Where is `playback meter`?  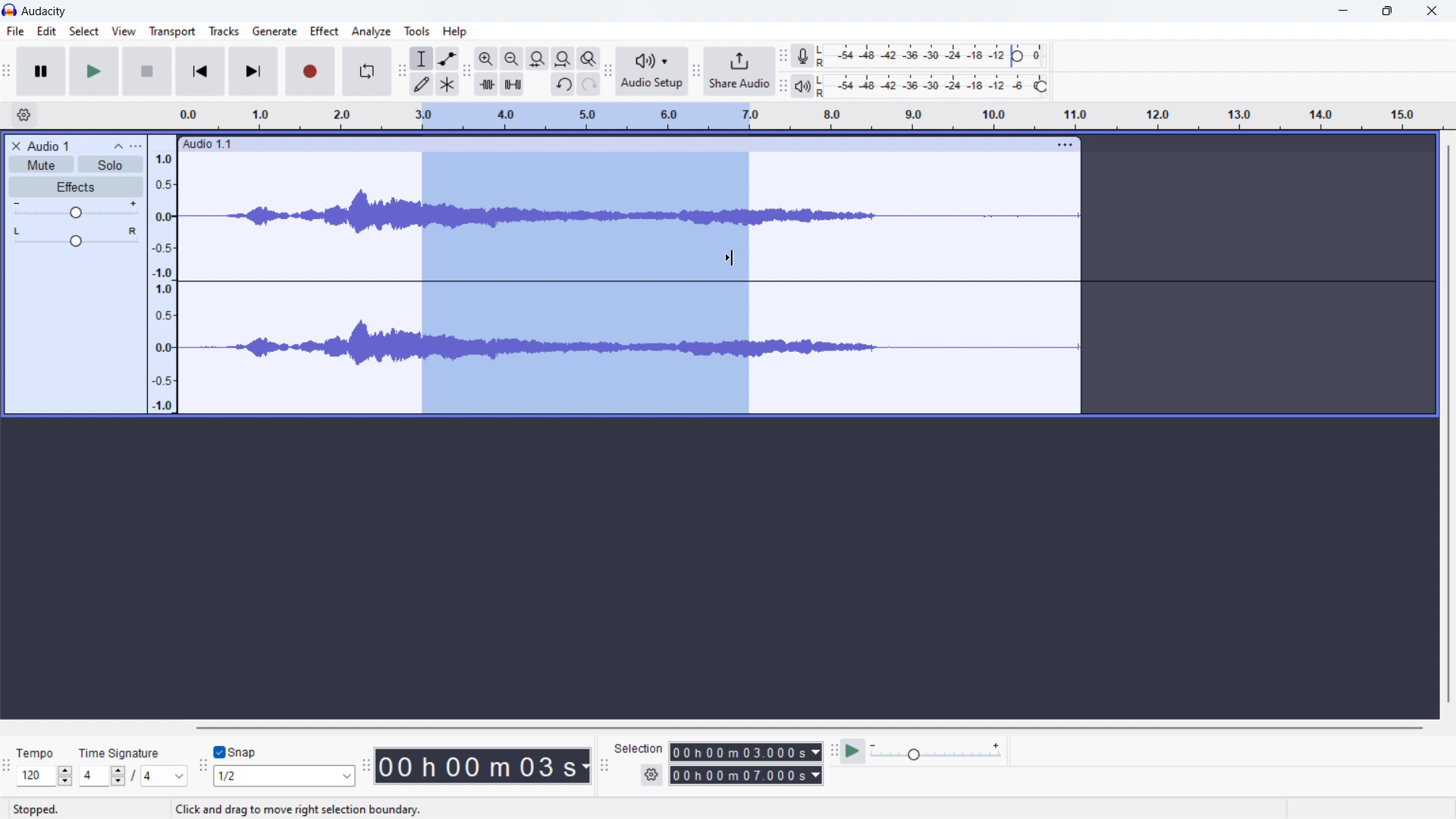
playback meter is located at coordinates (804, 86).